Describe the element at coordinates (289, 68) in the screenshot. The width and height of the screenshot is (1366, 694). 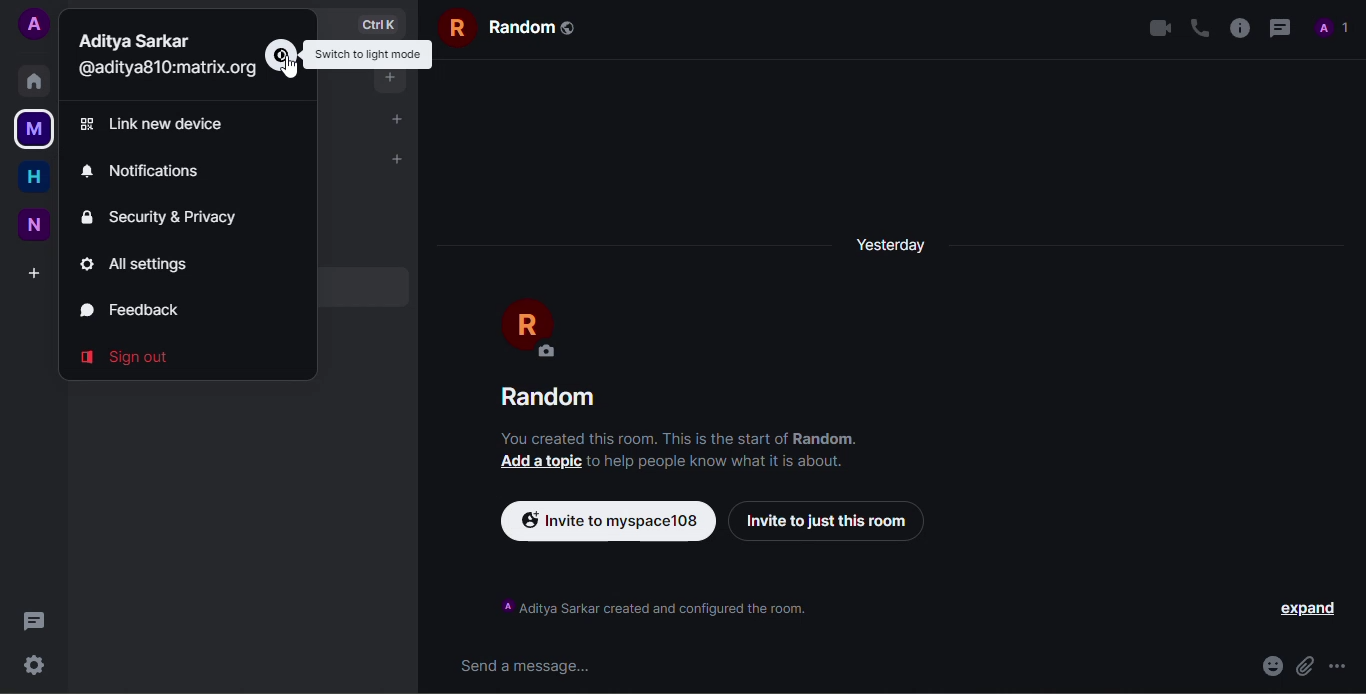
I see `Cursor` at that location.